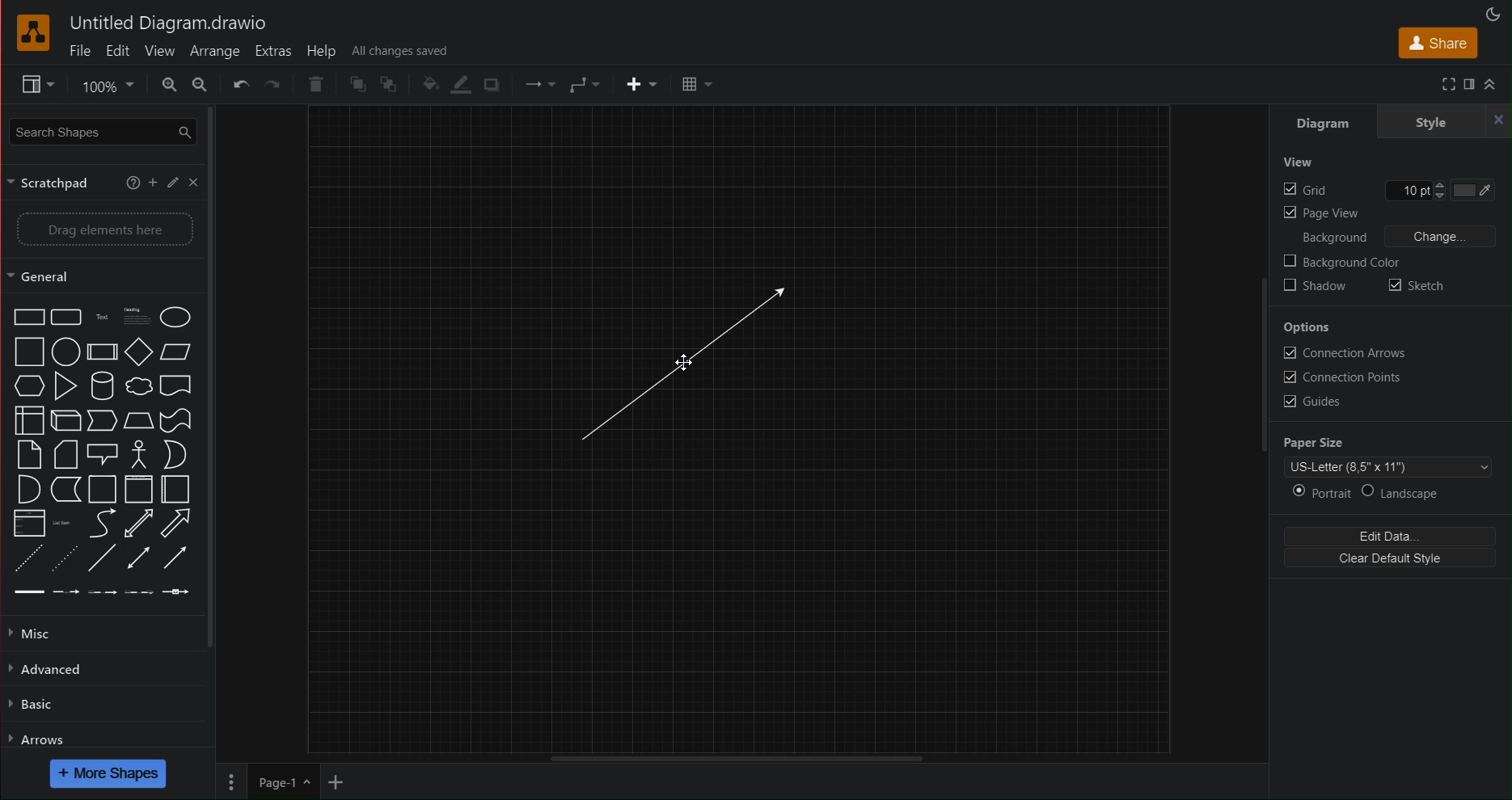 This screenshot has width=1512, height=800. What do you see at coordinates (1442, 237) in the screenshot?
I see `Change` at bounding box center [1442, 237].